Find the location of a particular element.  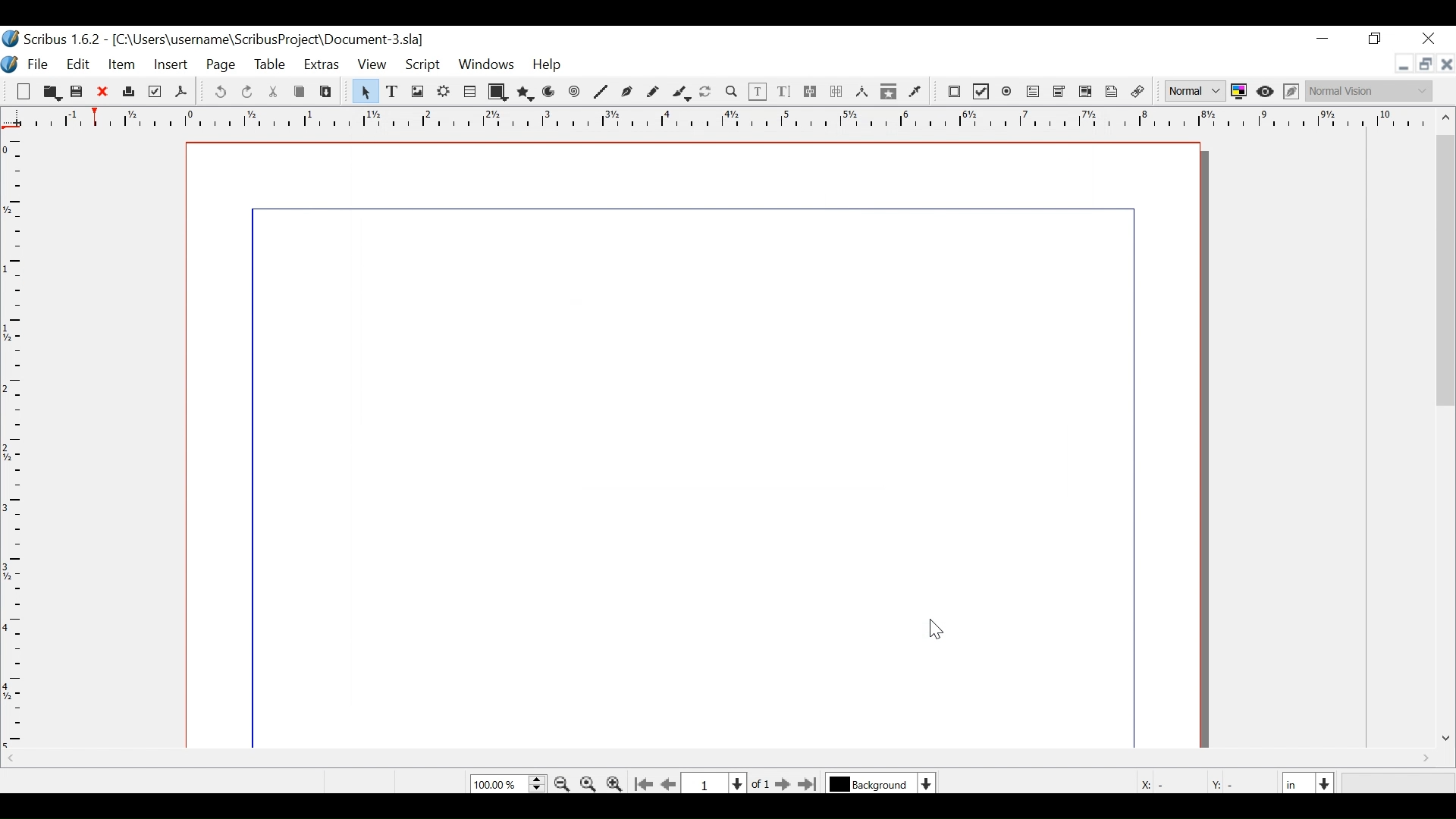

Edit Text with story editor is located at coordinates (784, 91).